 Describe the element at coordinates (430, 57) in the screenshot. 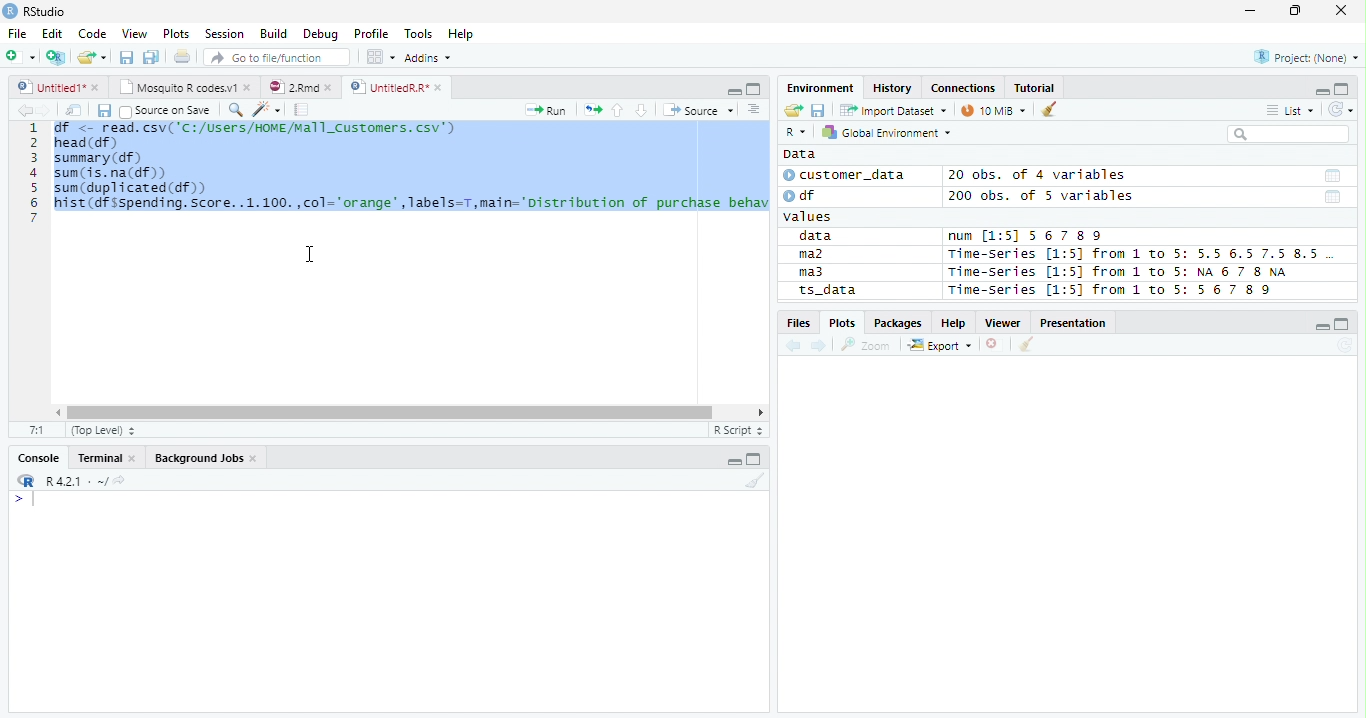

I see `Addins` at that location.